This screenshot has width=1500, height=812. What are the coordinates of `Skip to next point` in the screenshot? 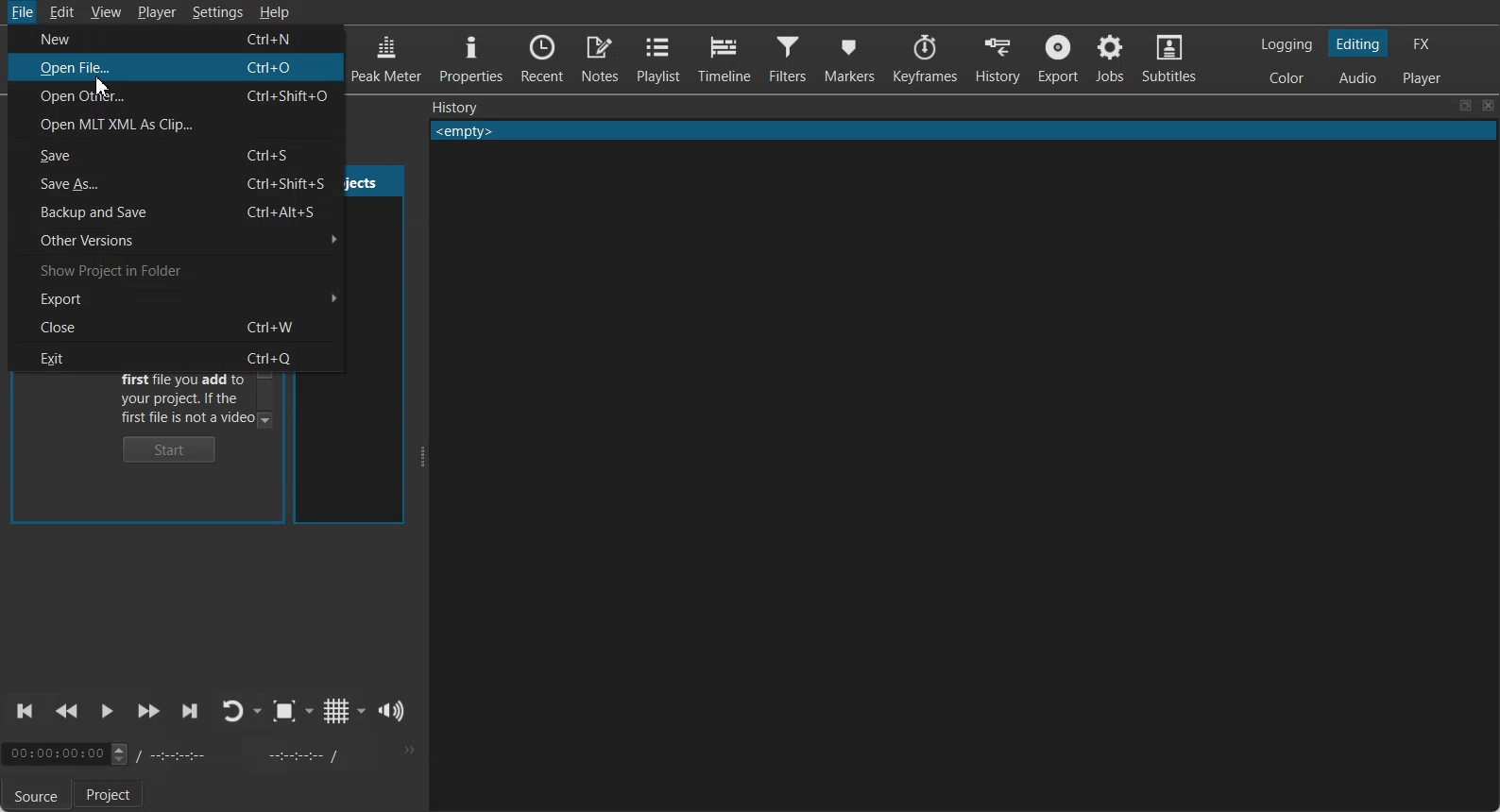 It's located at (191, 712).